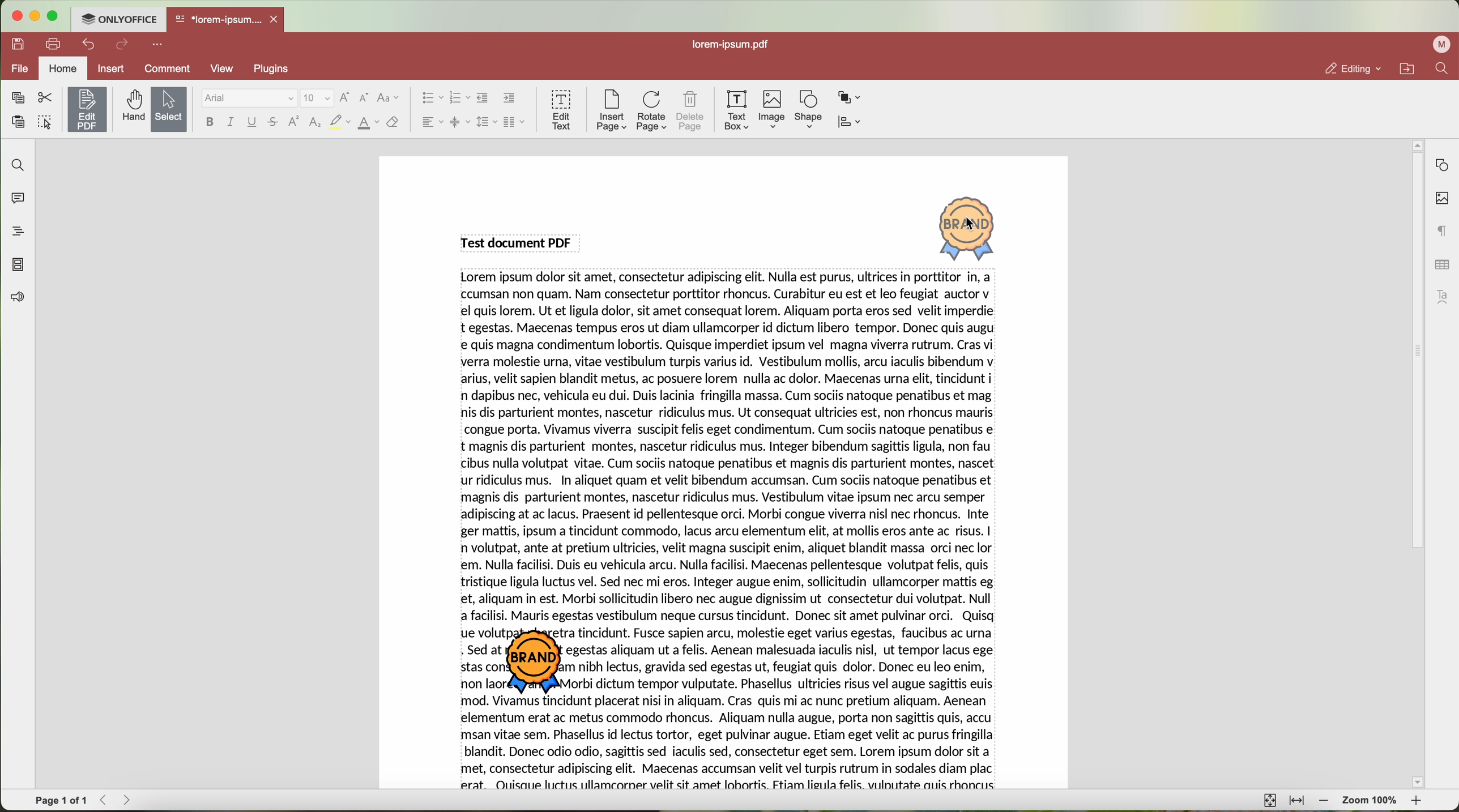 The width and height of the screenshot is (1459, 812). What do you see at coordinates (1443, 230) in the screenshot?
I see `paragraph settings` at bounding box center [1443, 230].